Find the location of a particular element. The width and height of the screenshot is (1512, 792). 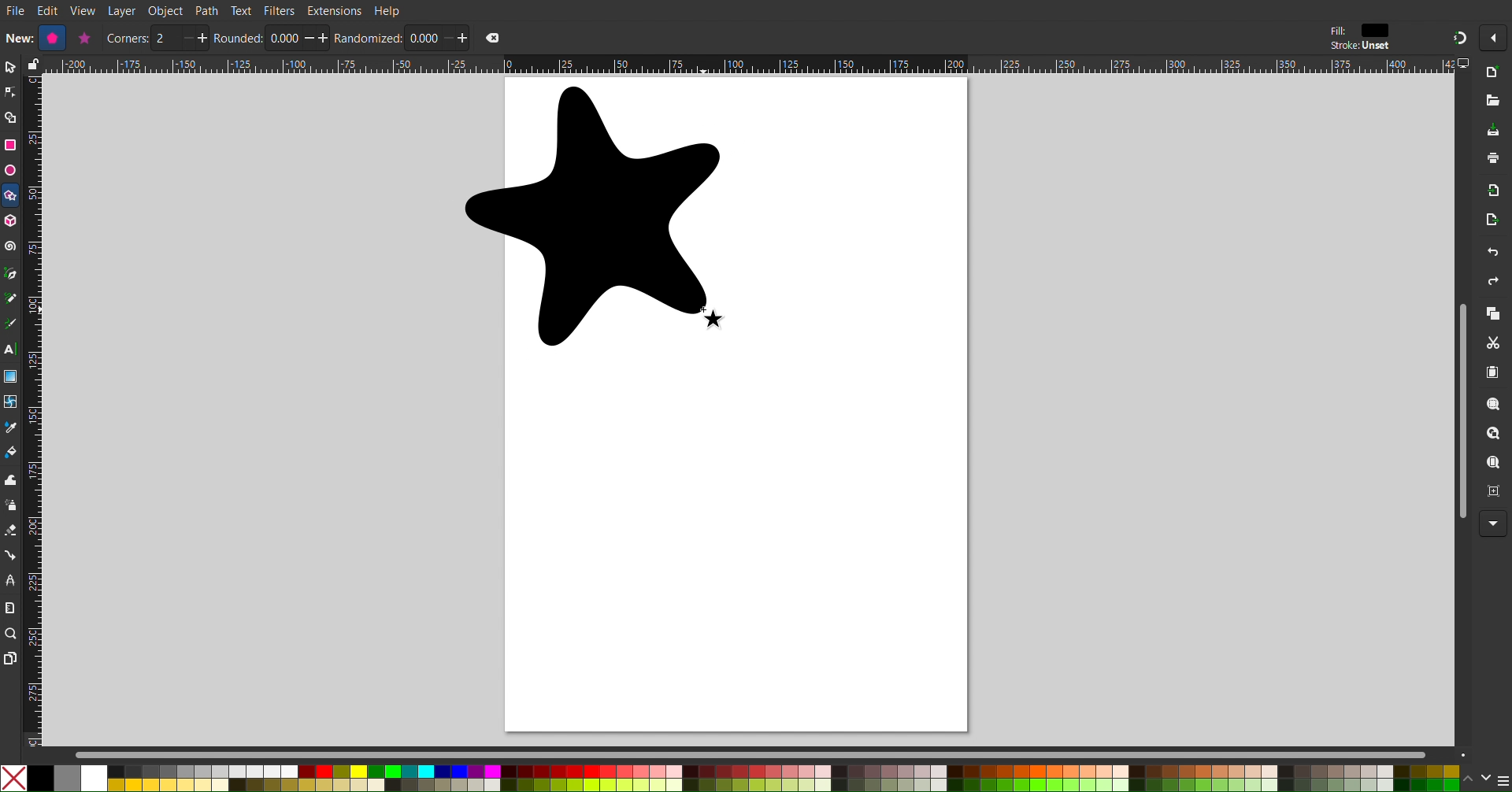

Path is located at coordinates (207, 10).